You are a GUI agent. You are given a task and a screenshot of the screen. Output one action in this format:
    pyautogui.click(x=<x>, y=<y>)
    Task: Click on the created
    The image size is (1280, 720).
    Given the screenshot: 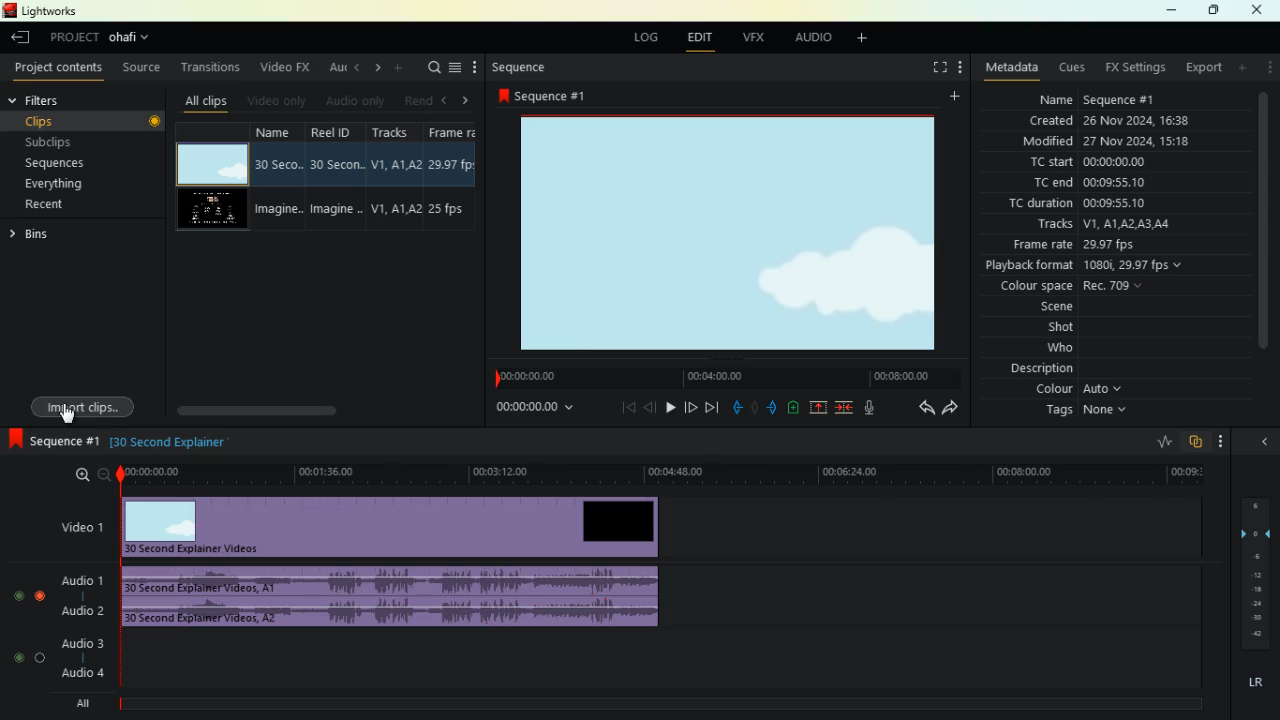 What is the action you would take?
    pyautogui.click(x=1111, y=120)
    